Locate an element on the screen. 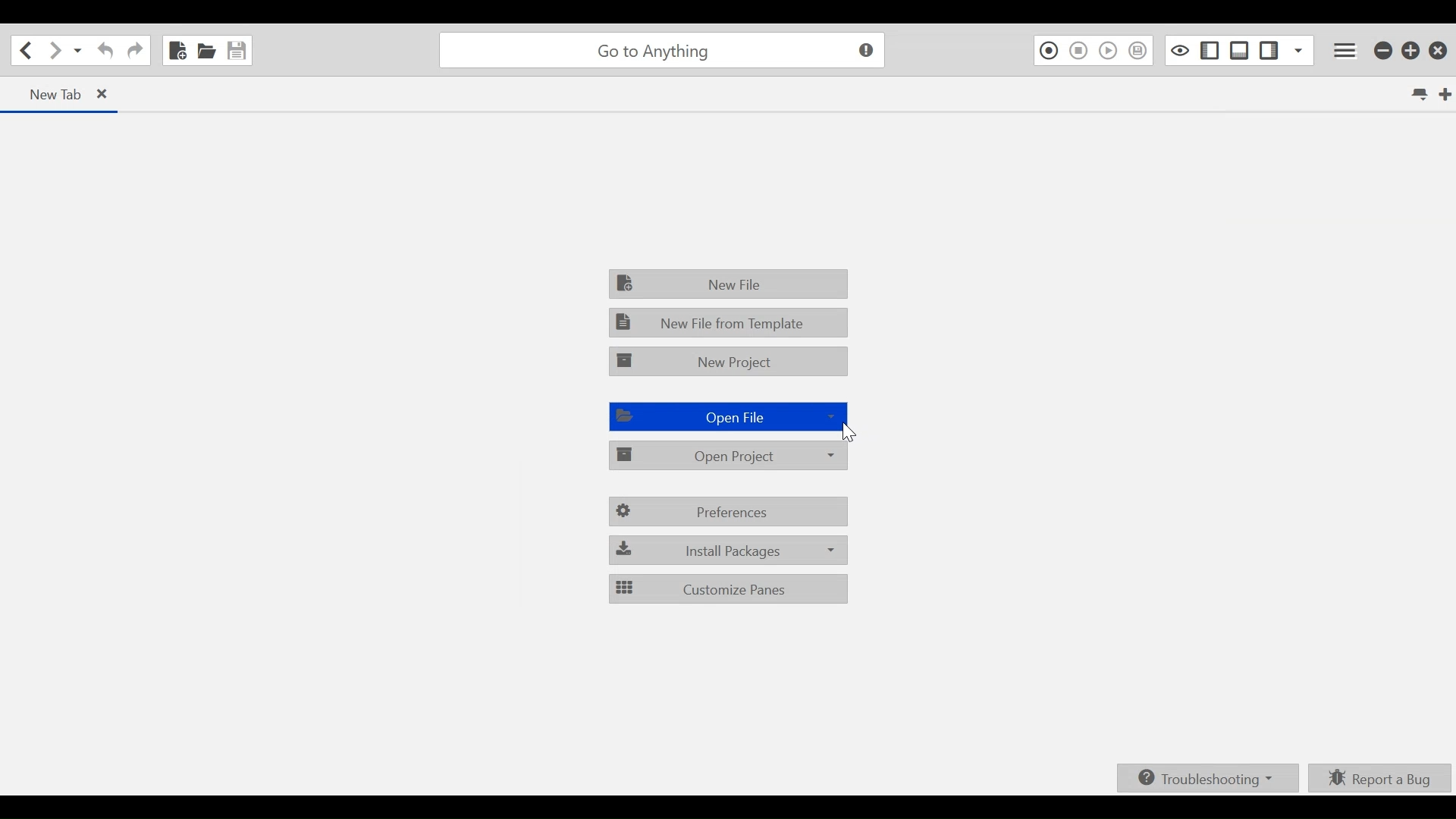  Report a bug is located at coordinates (1382, 779).